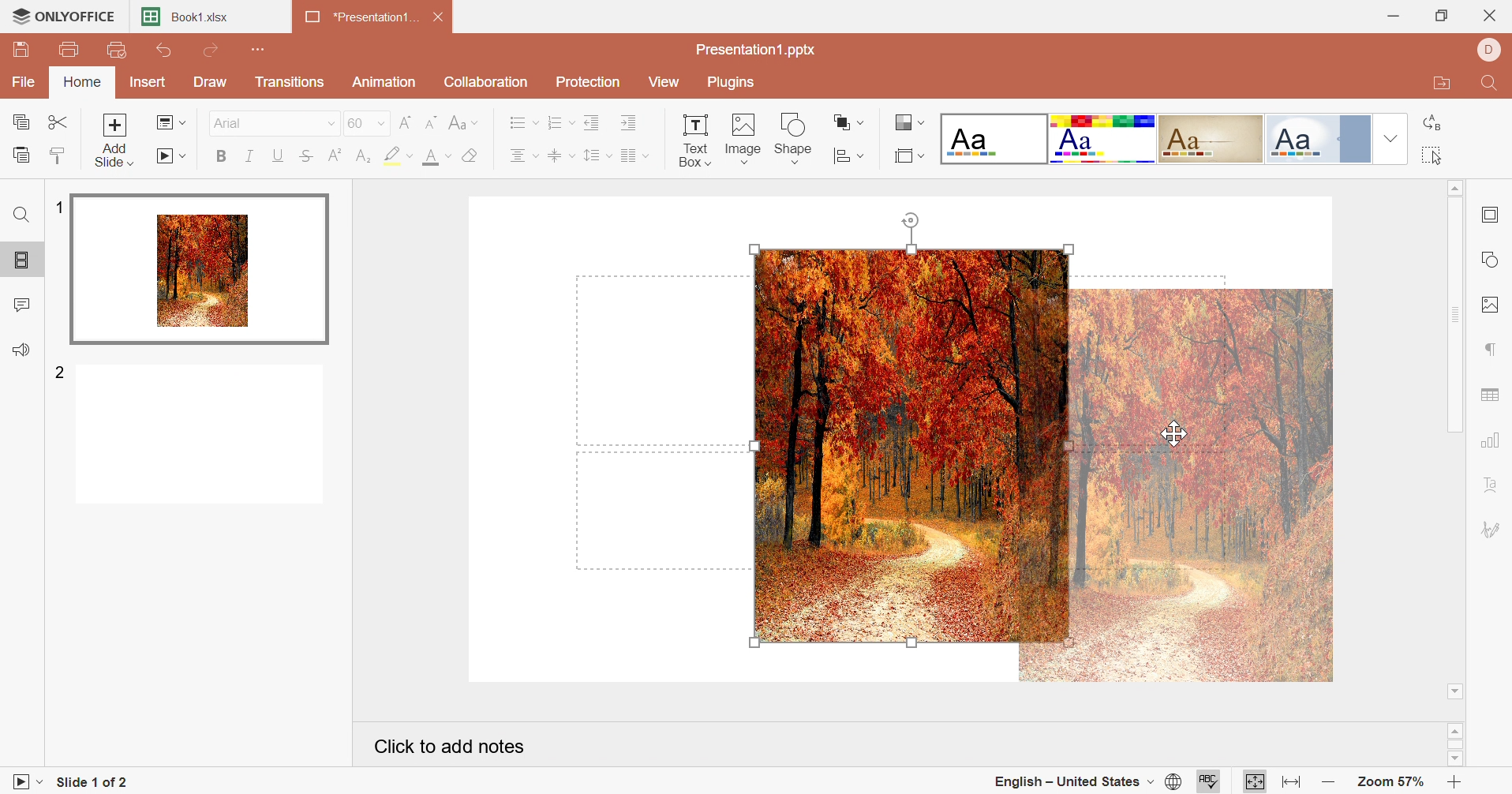 This screenshot has width=1512, height=794. What do you see at coordinates (669, 84) in the screenshot?
I see `View` at bounding box center [669, 84].